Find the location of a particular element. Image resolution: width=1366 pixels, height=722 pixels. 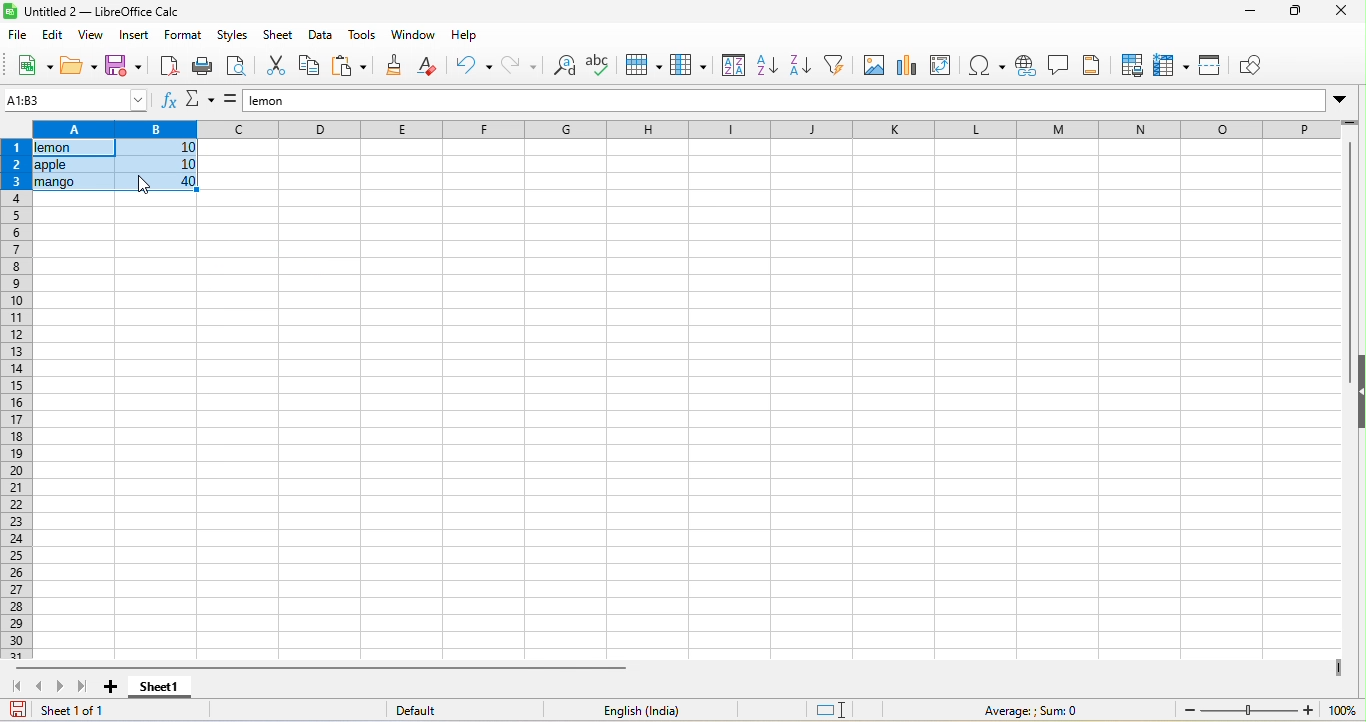

redo is located at coordinates (522, 67).